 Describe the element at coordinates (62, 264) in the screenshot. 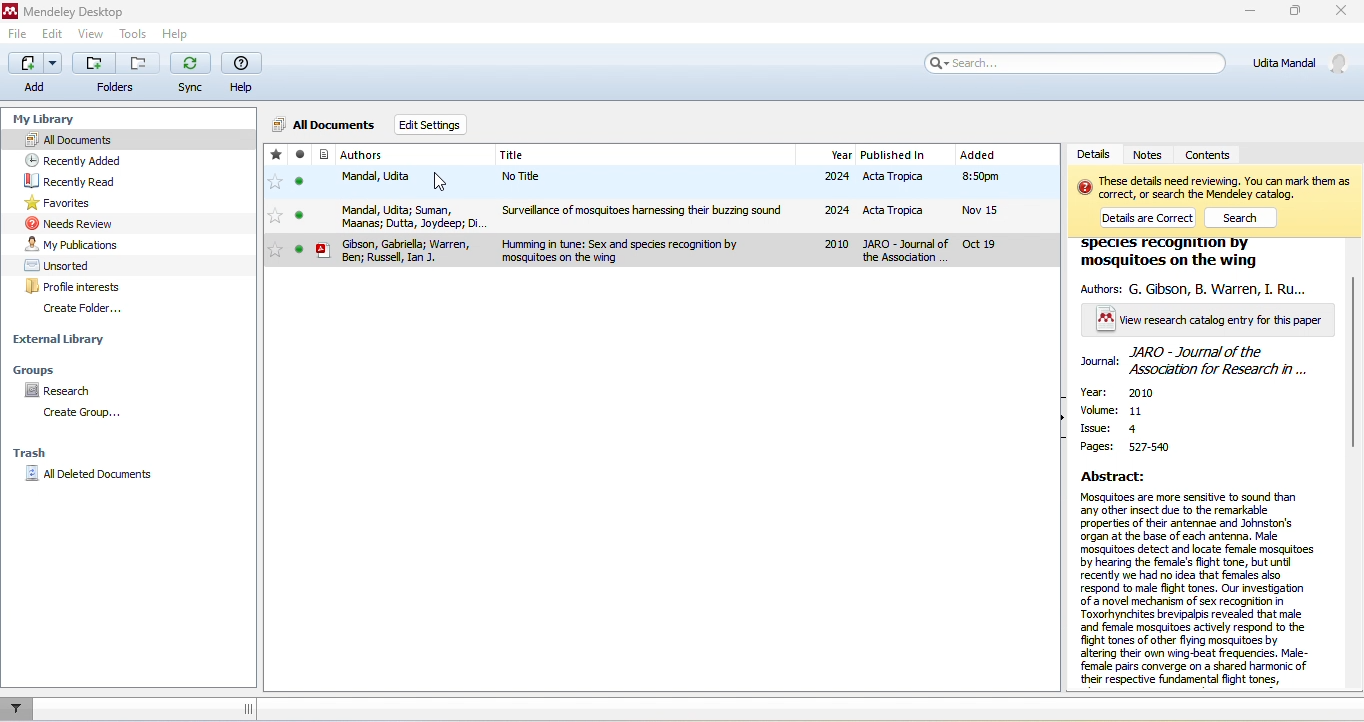

I see `unsorted` at that location.